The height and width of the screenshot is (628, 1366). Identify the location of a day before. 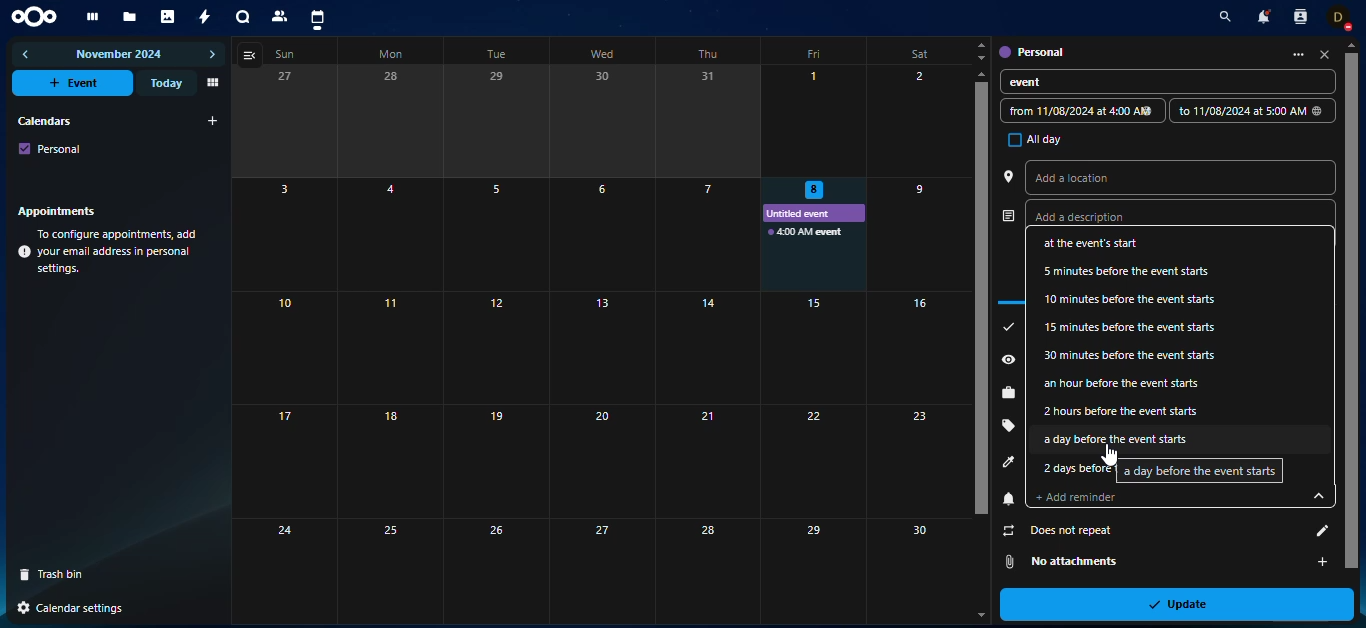
(1119, 439).